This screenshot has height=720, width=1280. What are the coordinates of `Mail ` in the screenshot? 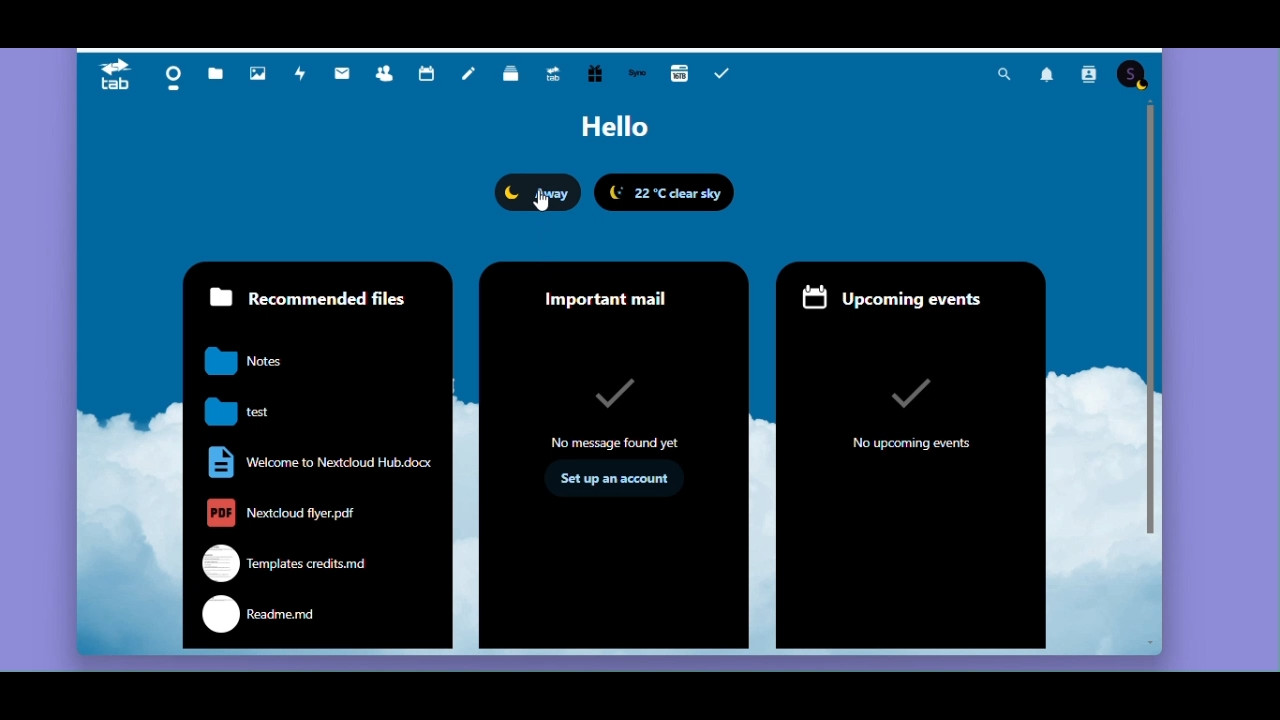 It's located at (347, 70).